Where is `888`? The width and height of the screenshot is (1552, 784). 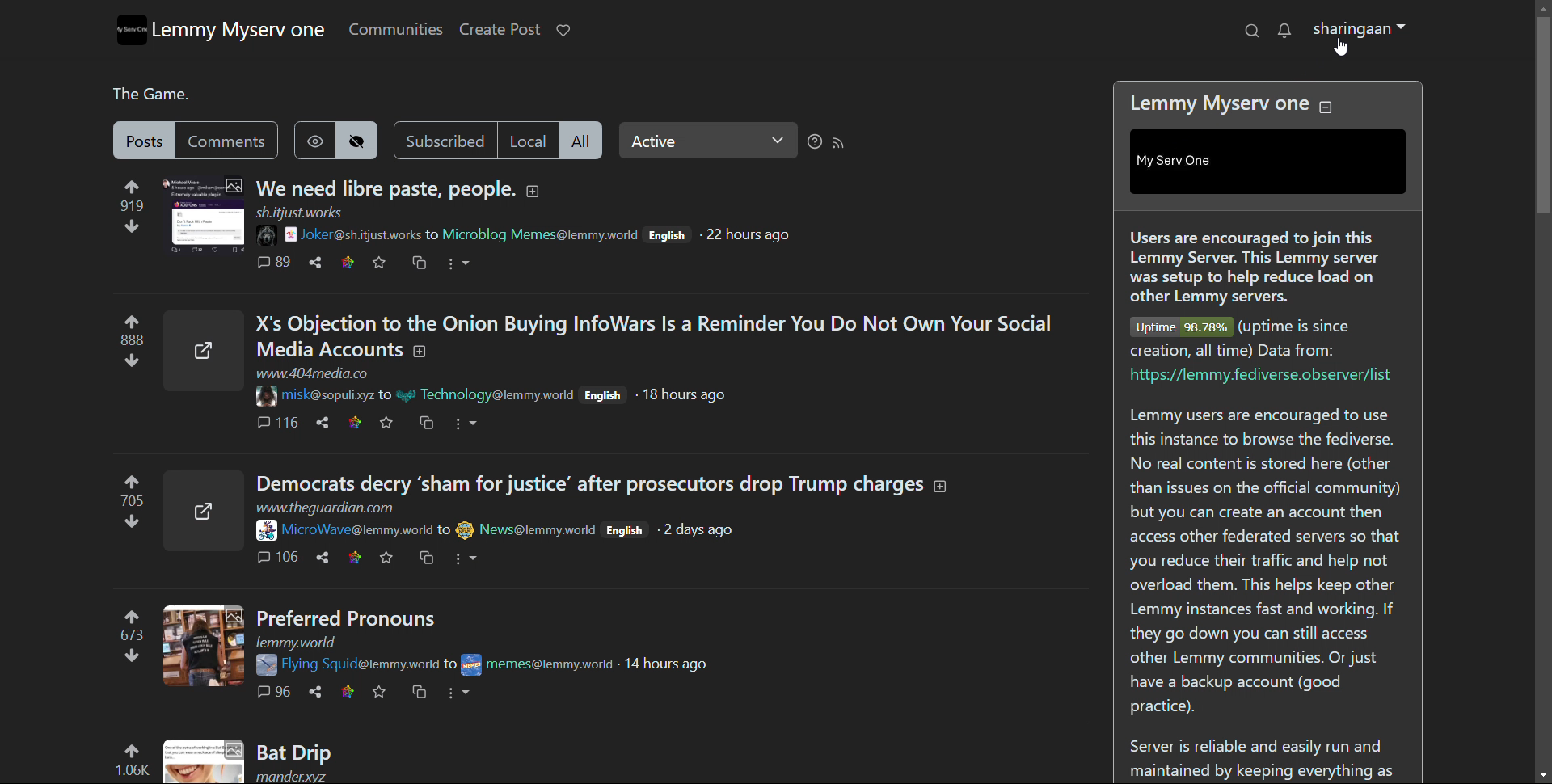
888 is located at coordinates (133, 340).